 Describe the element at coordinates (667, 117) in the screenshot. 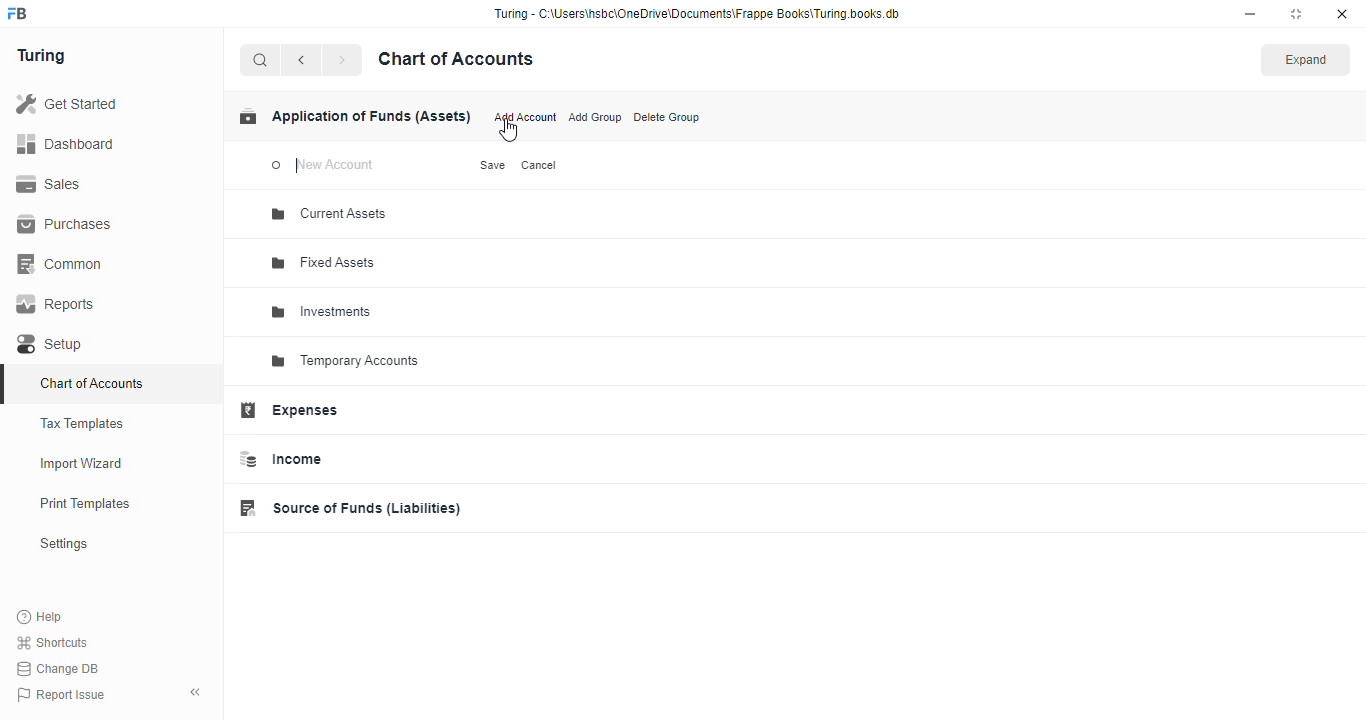

I see `delete group` at that location.